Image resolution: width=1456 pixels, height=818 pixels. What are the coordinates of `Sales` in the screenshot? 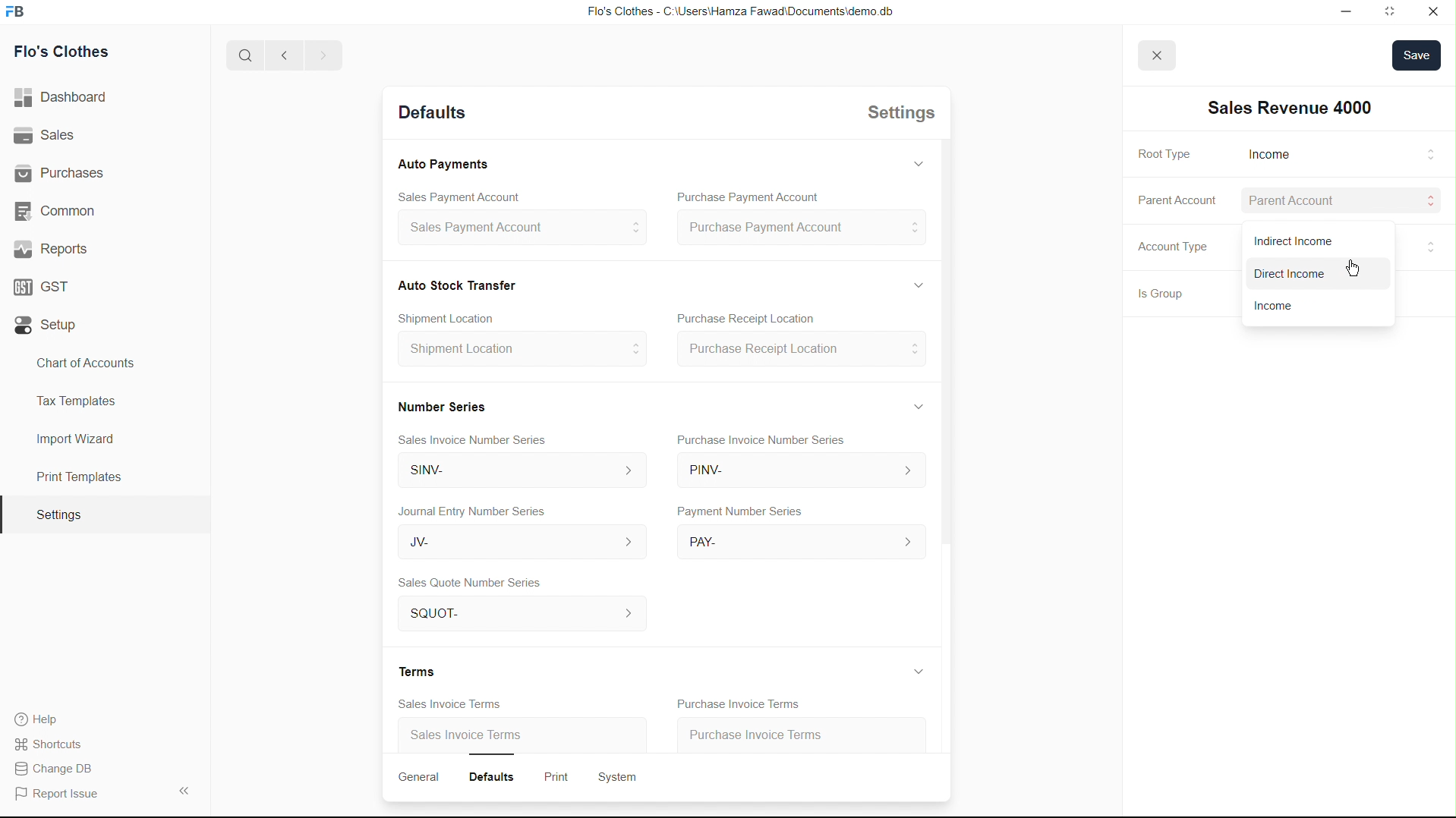 It's located at (48, 136).